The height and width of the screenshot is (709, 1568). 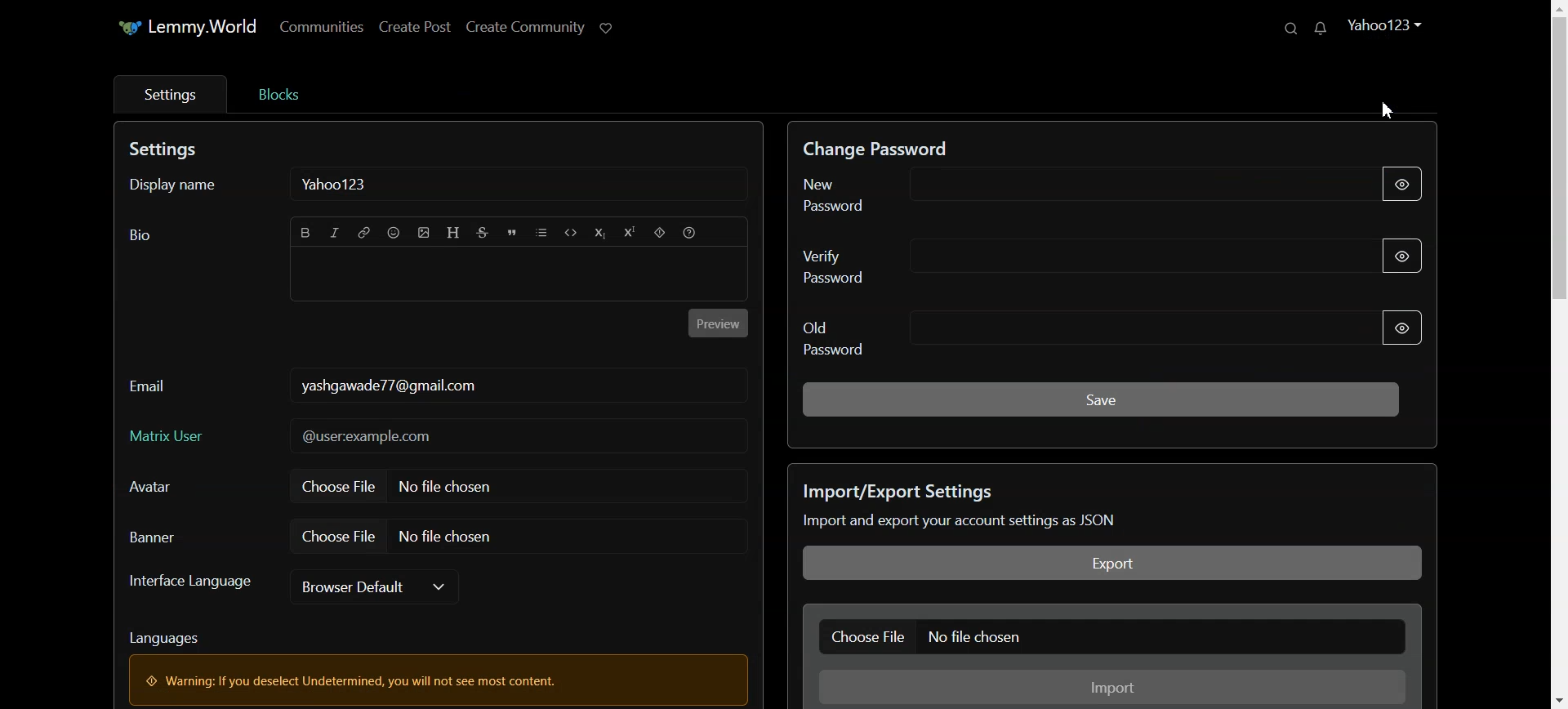 I want to click on Home Page, so click(x=185, y=26).